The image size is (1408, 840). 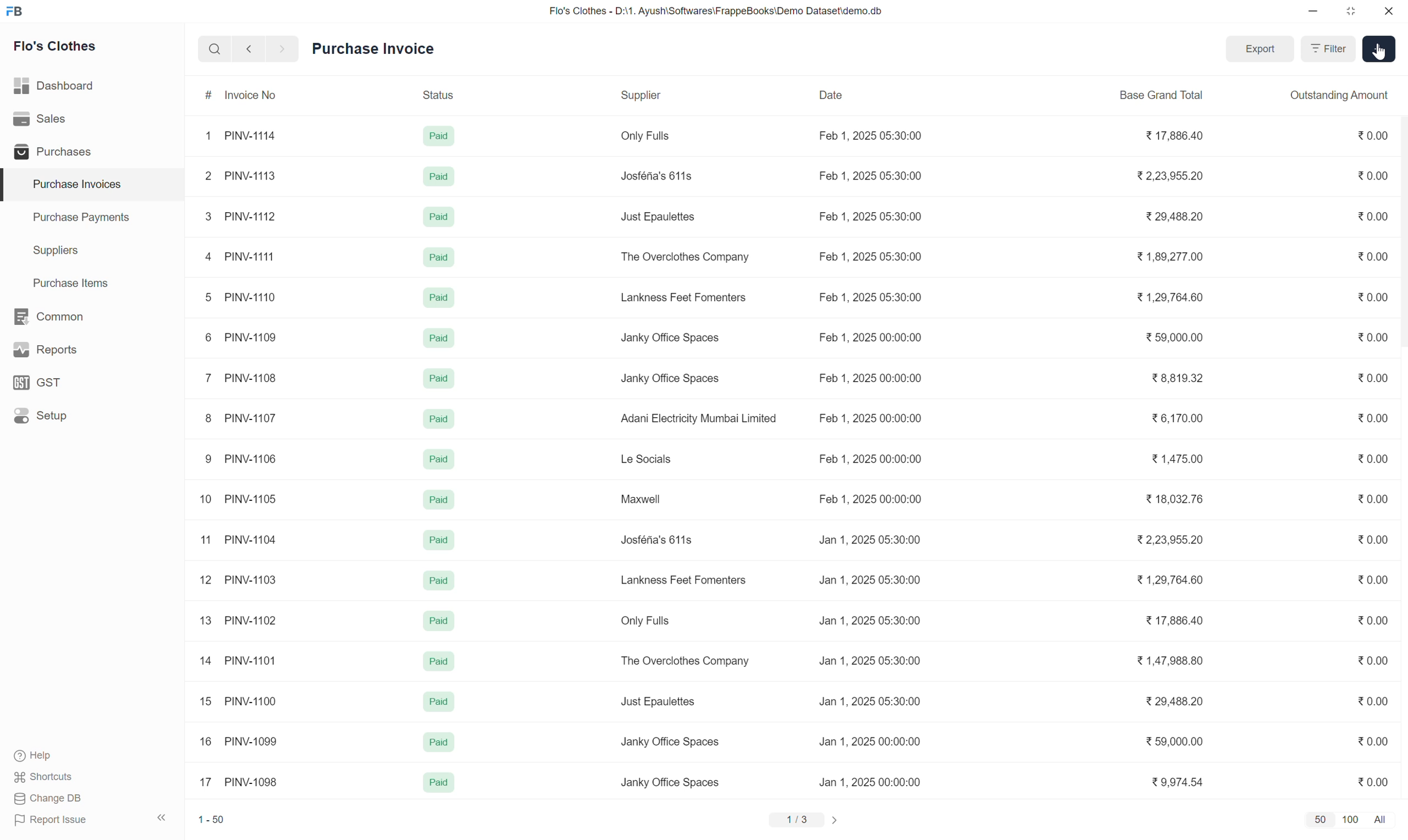 What do you see at coordinates (870, 701) in the screenshot?
I see `Jan 1, 2025 05:30:00` at bounding box center [870, 701].